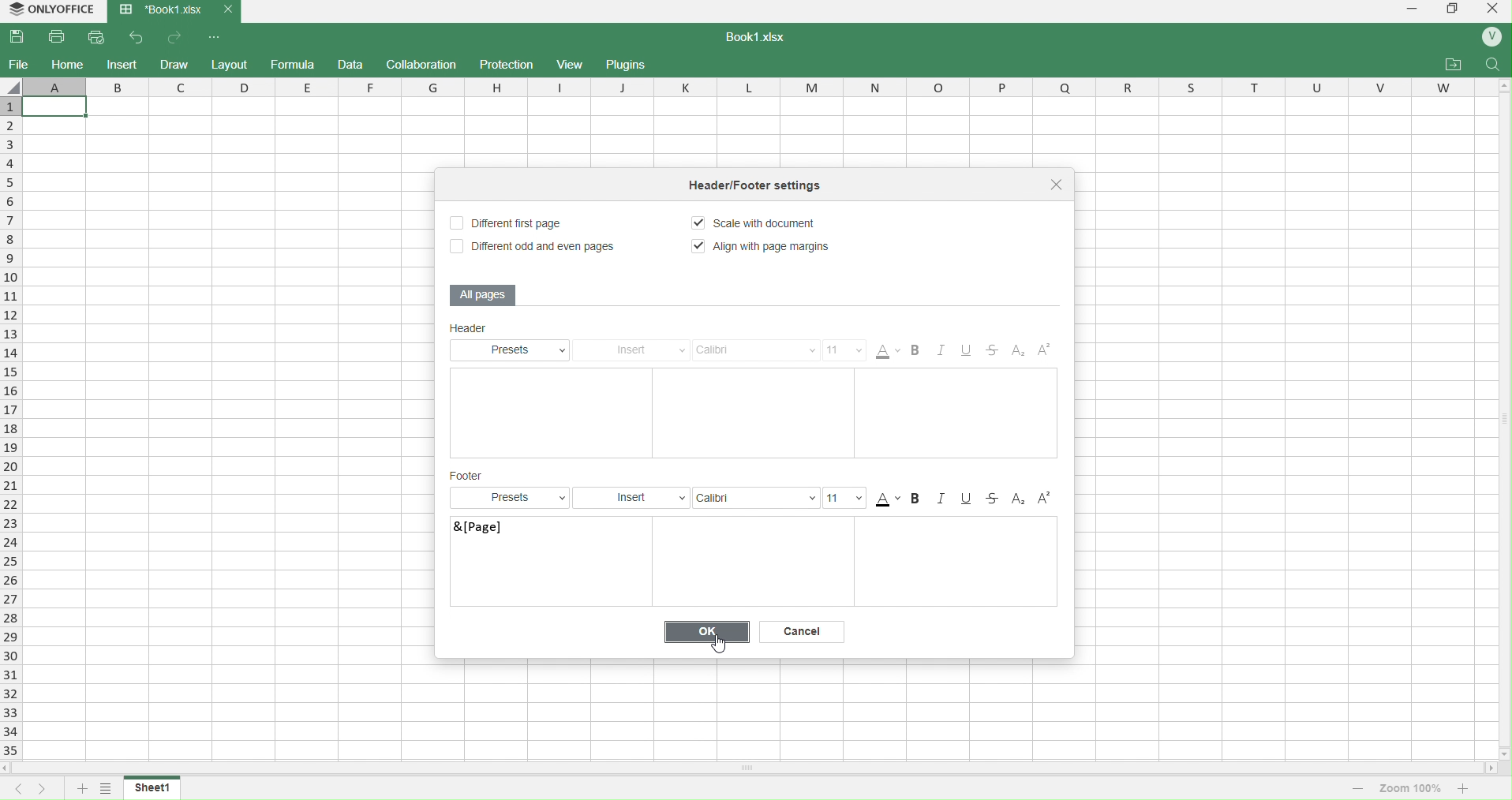  I want to click on Size, so click(845, 350).